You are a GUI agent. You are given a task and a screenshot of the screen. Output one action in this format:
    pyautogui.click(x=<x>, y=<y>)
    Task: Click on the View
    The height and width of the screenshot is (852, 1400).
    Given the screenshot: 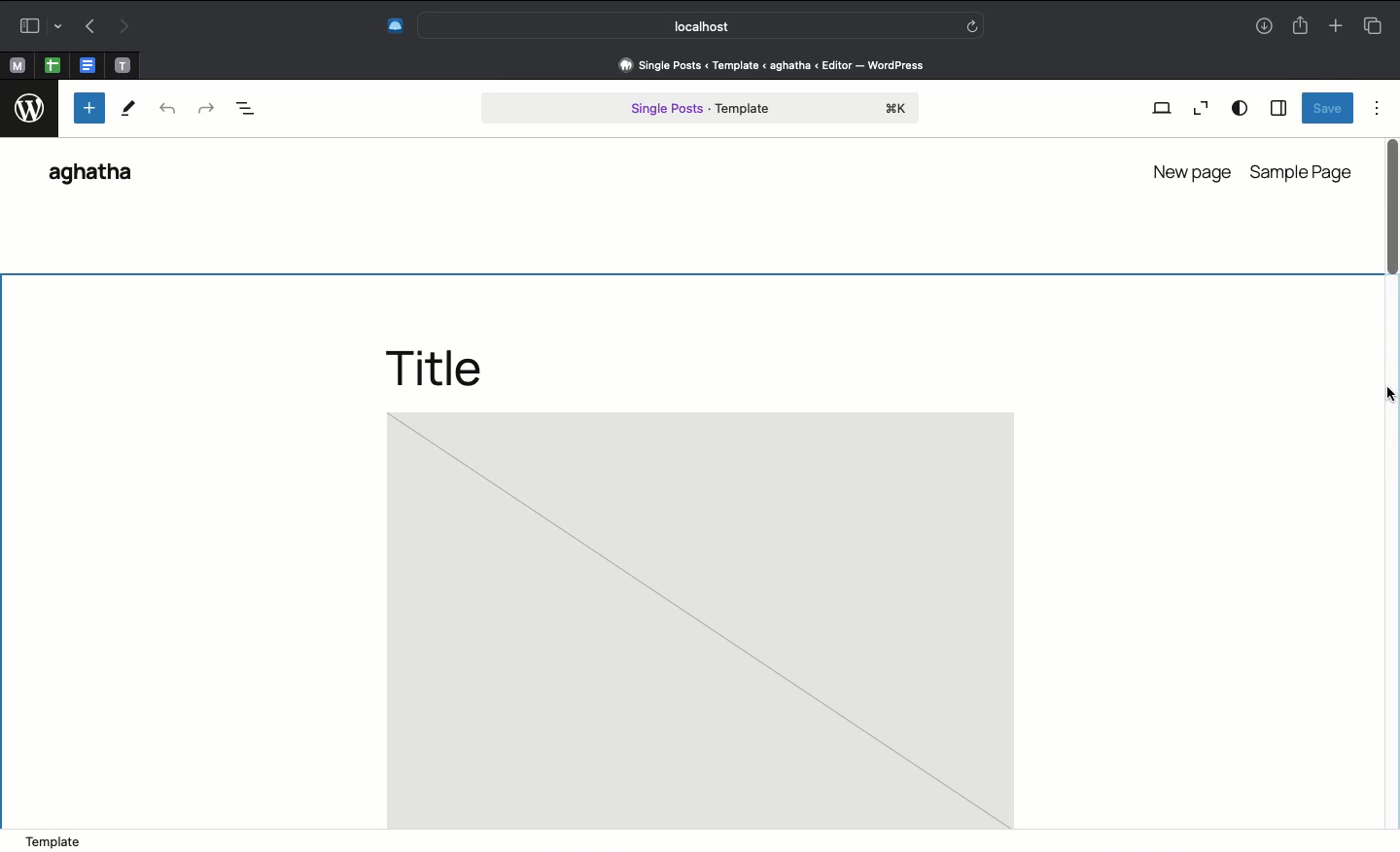 What is the action you would take?
    pyautogui.click(x=1163, y=107)
    